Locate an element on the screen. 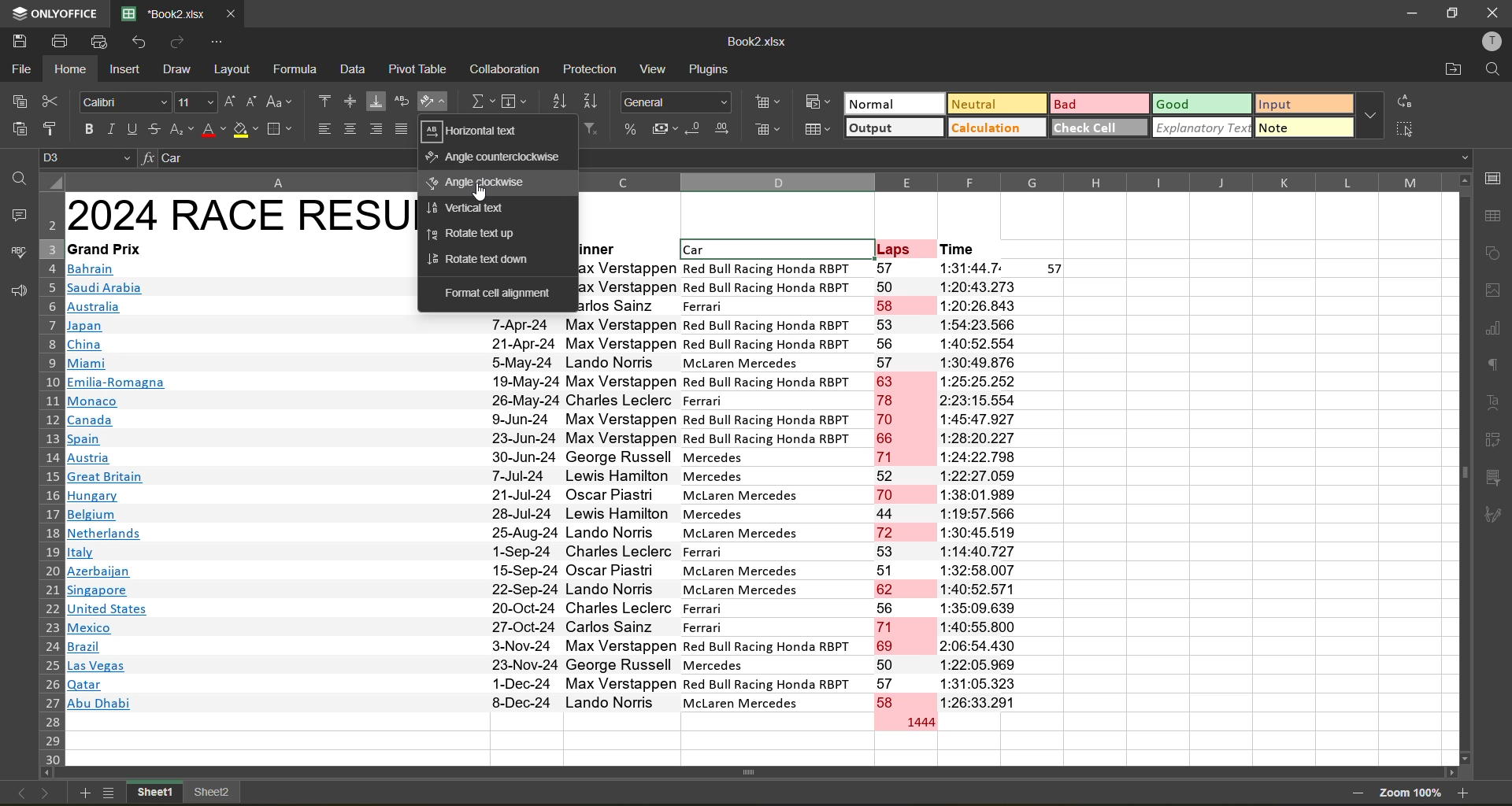 This screenshot has height=806, width=1512. Scroll right is located at coordinates (1452, 773).